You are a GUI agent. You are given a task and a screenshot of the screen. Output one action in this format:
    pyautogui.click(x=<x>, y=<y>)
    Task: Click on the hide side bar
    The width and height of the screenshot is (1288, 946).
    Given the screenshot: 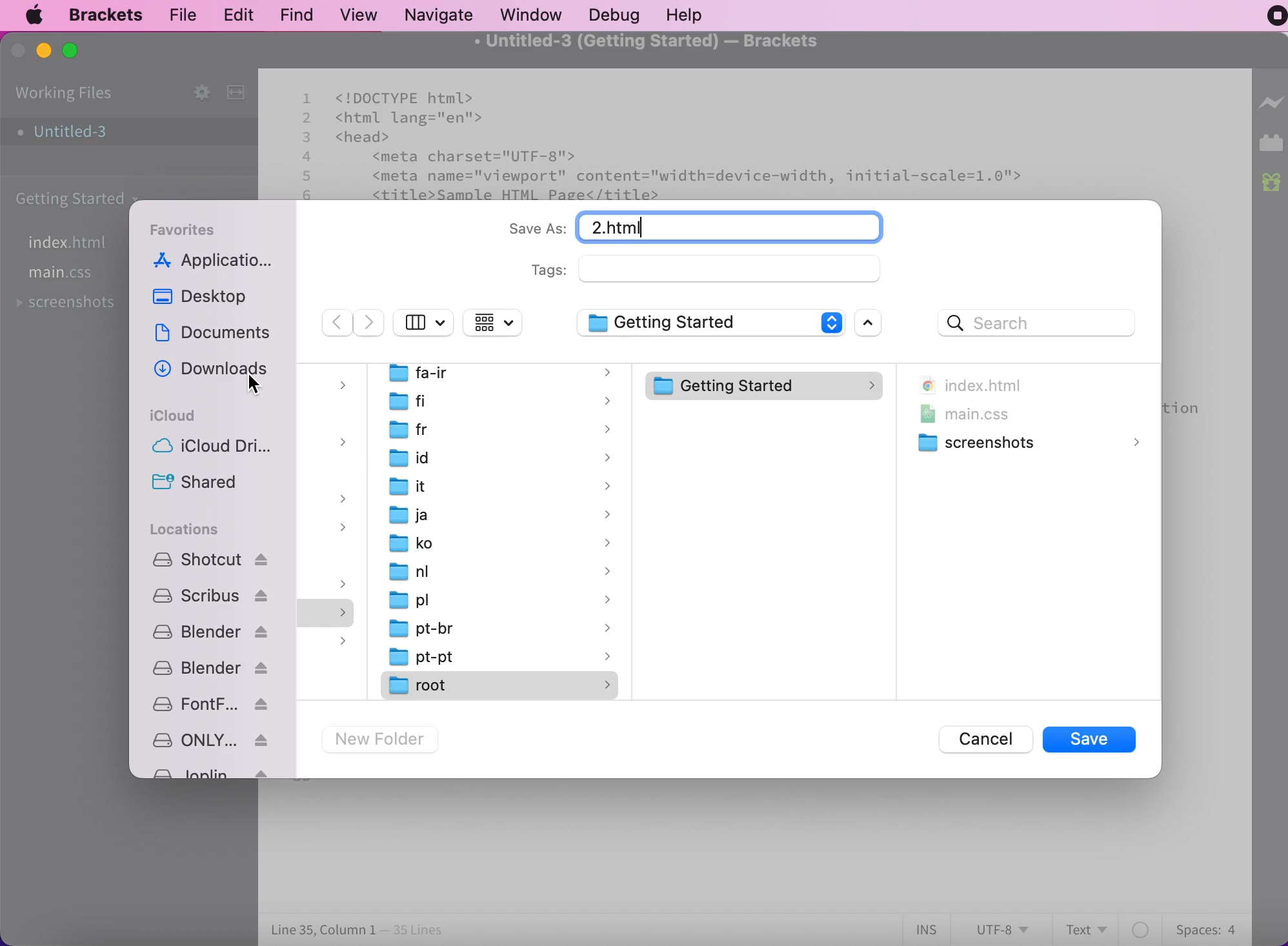 What is the action you would take?
    pyautogui.click(x=424, y=324)
    